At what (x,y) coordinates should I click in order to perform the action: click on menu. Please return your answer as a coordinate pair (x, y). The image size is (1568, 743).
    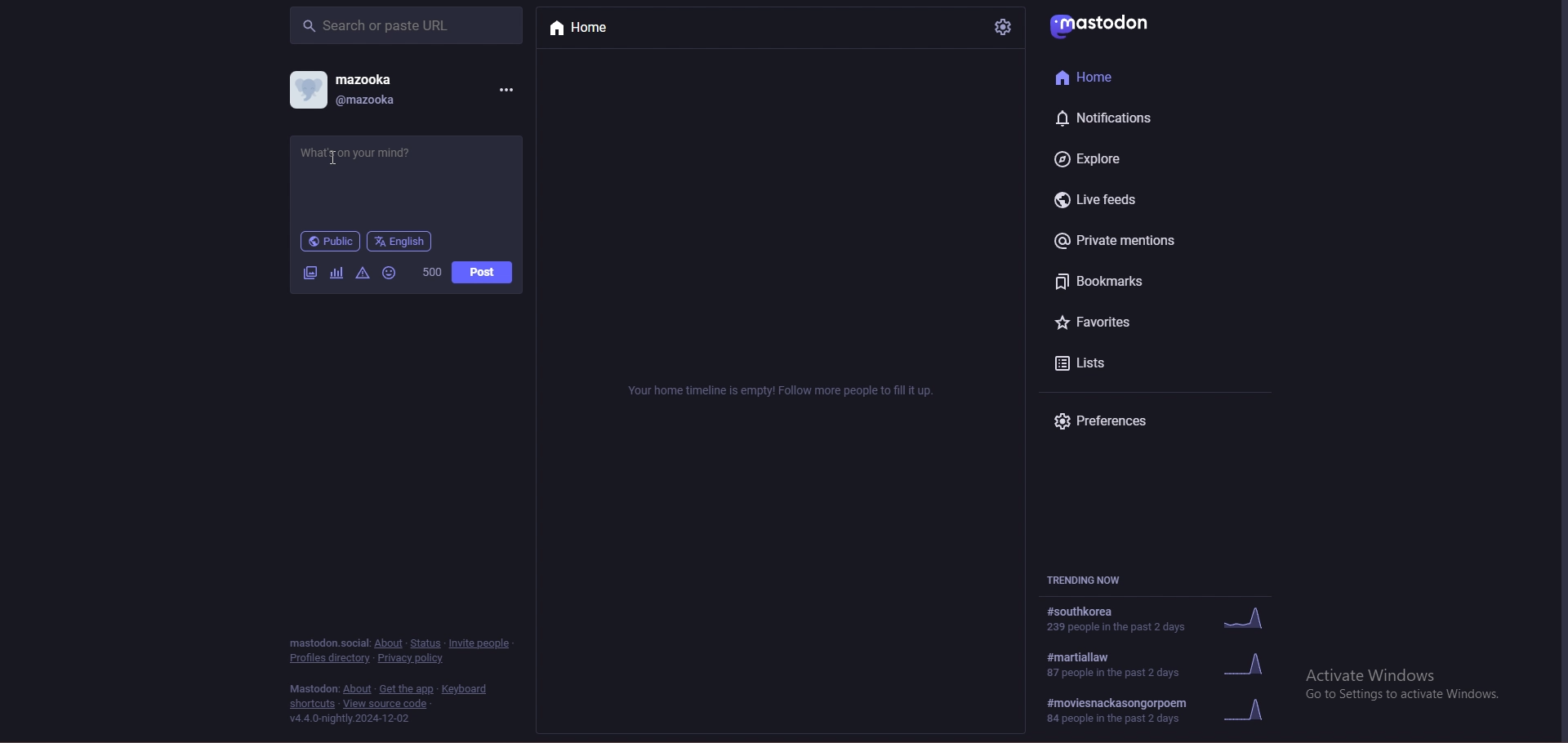
    Looking at the image, I should click on (506, 88).